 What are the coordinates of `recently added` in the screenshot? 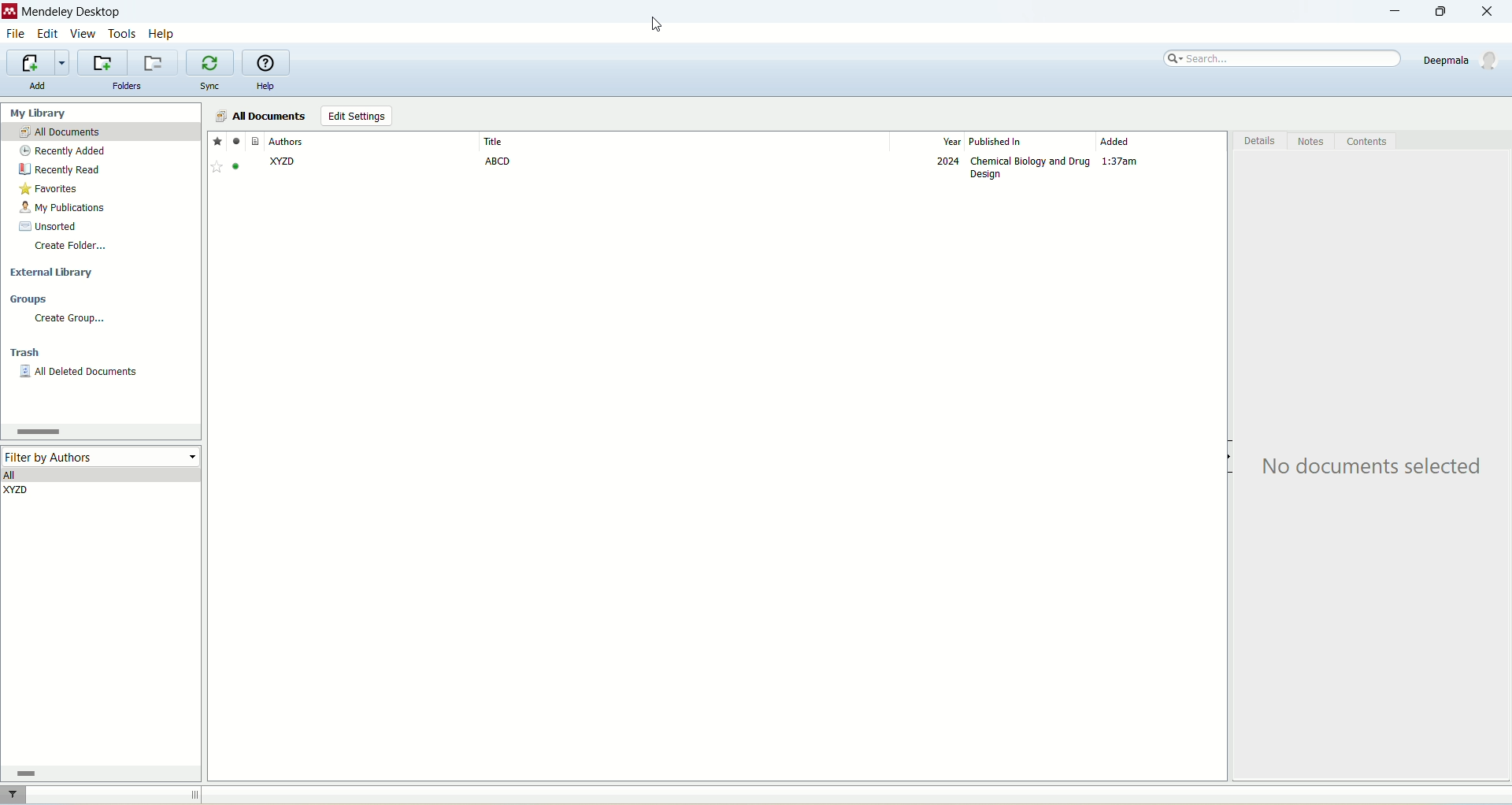 It's located at (63, 151).